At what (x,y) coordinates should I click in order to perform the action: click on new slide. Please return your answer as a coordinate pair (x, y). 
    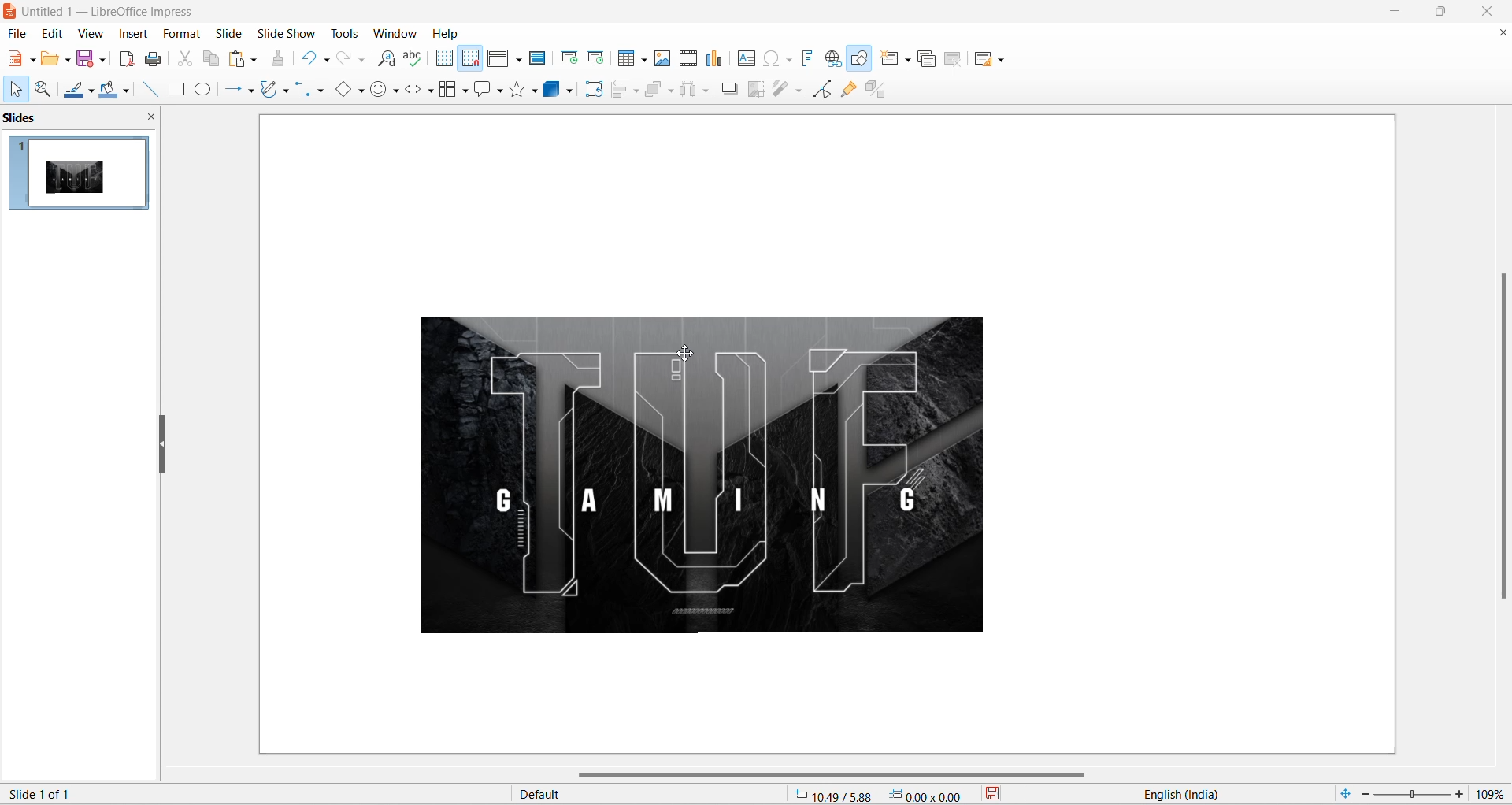
    Looking at the image, I should click on (890, 58).